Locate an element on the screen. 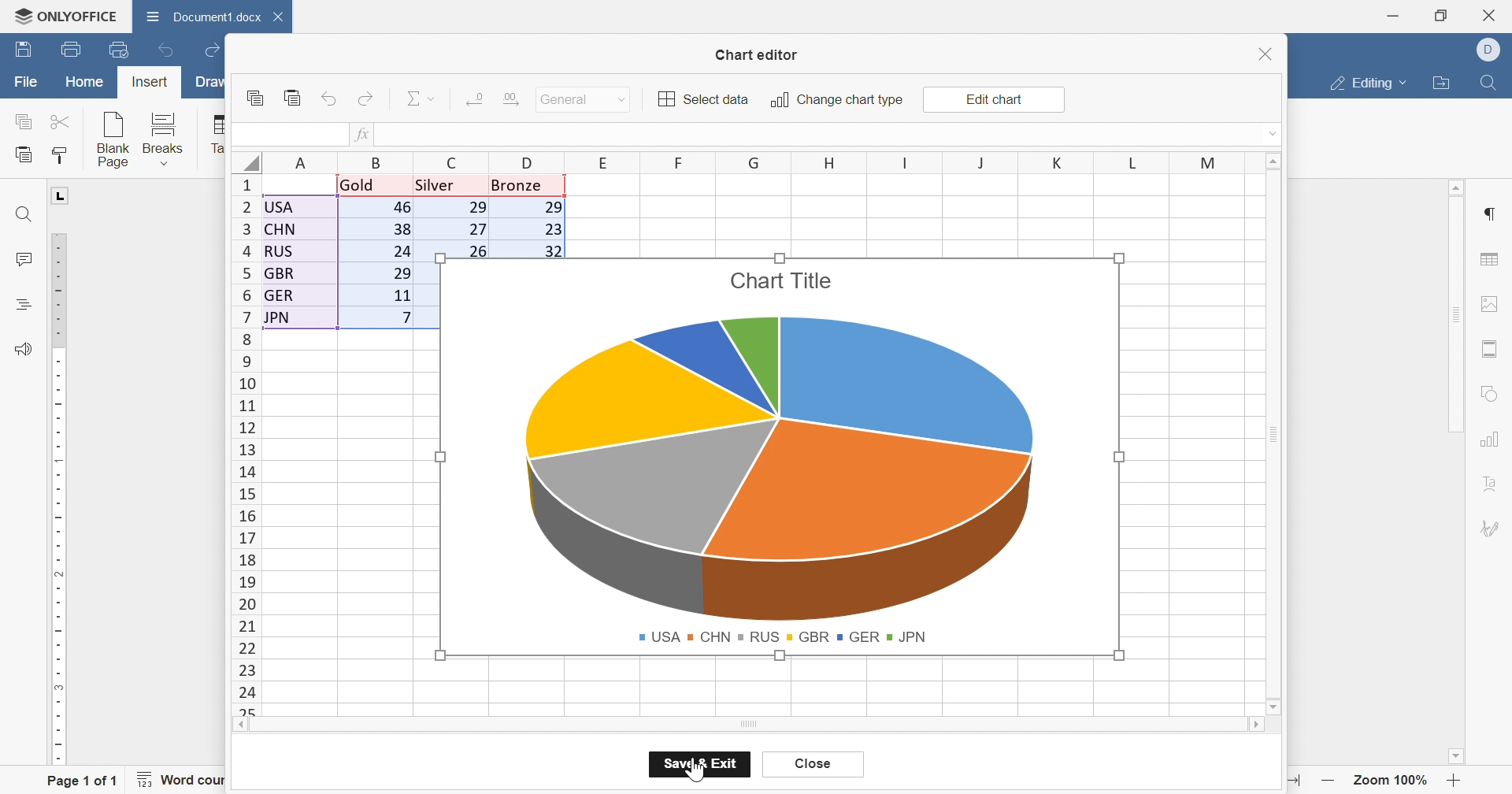 This screenshot has width=1512, height=794. USA is located at coordinates (659, 636).